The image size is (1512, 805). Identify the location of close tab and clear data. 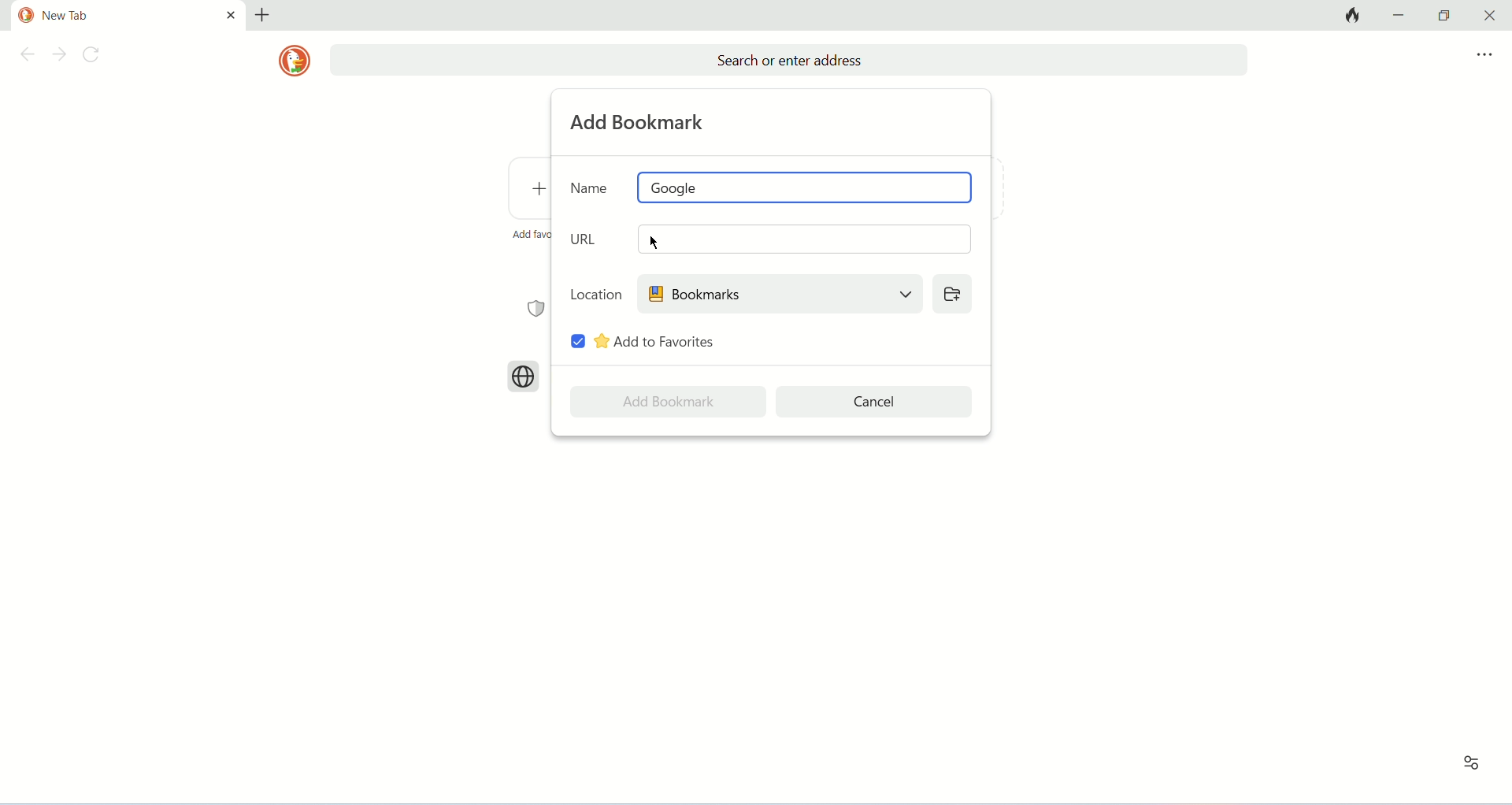
(1351, 15).